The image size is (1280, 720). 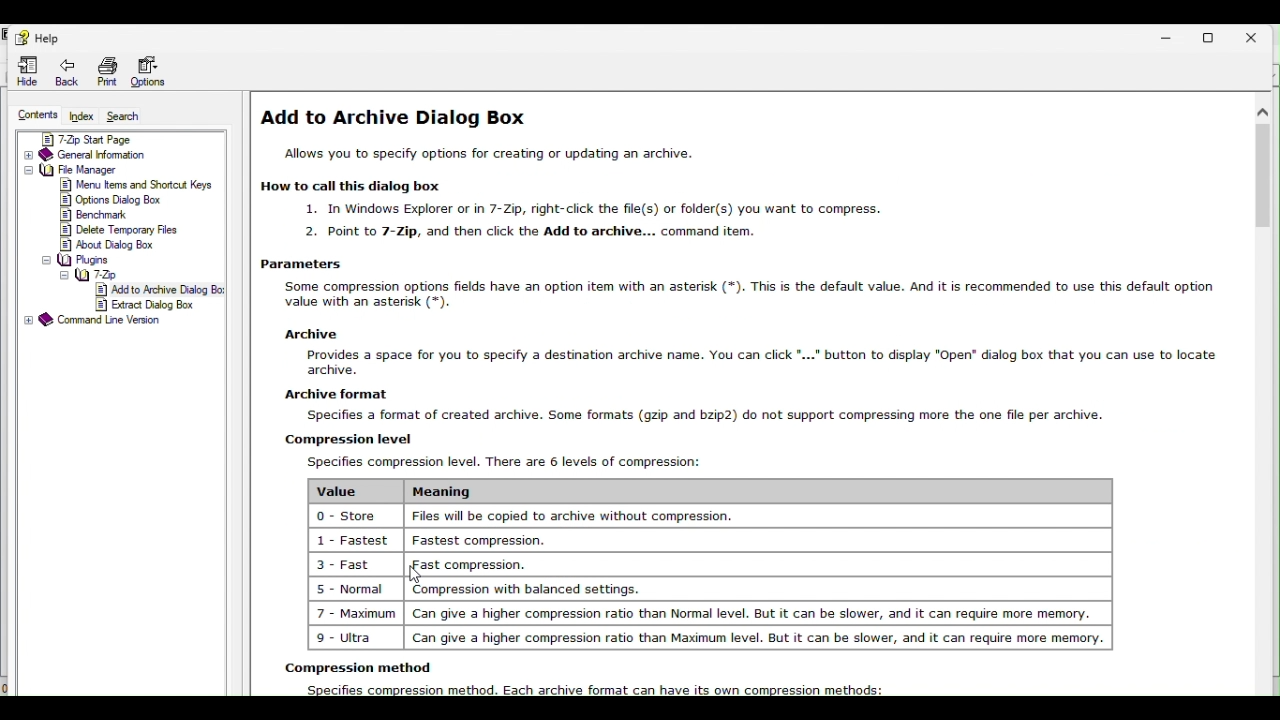 What do you see at coordinates (25, 72) in the screenshot?
I see `Hide` at bounding box center [25, 72].